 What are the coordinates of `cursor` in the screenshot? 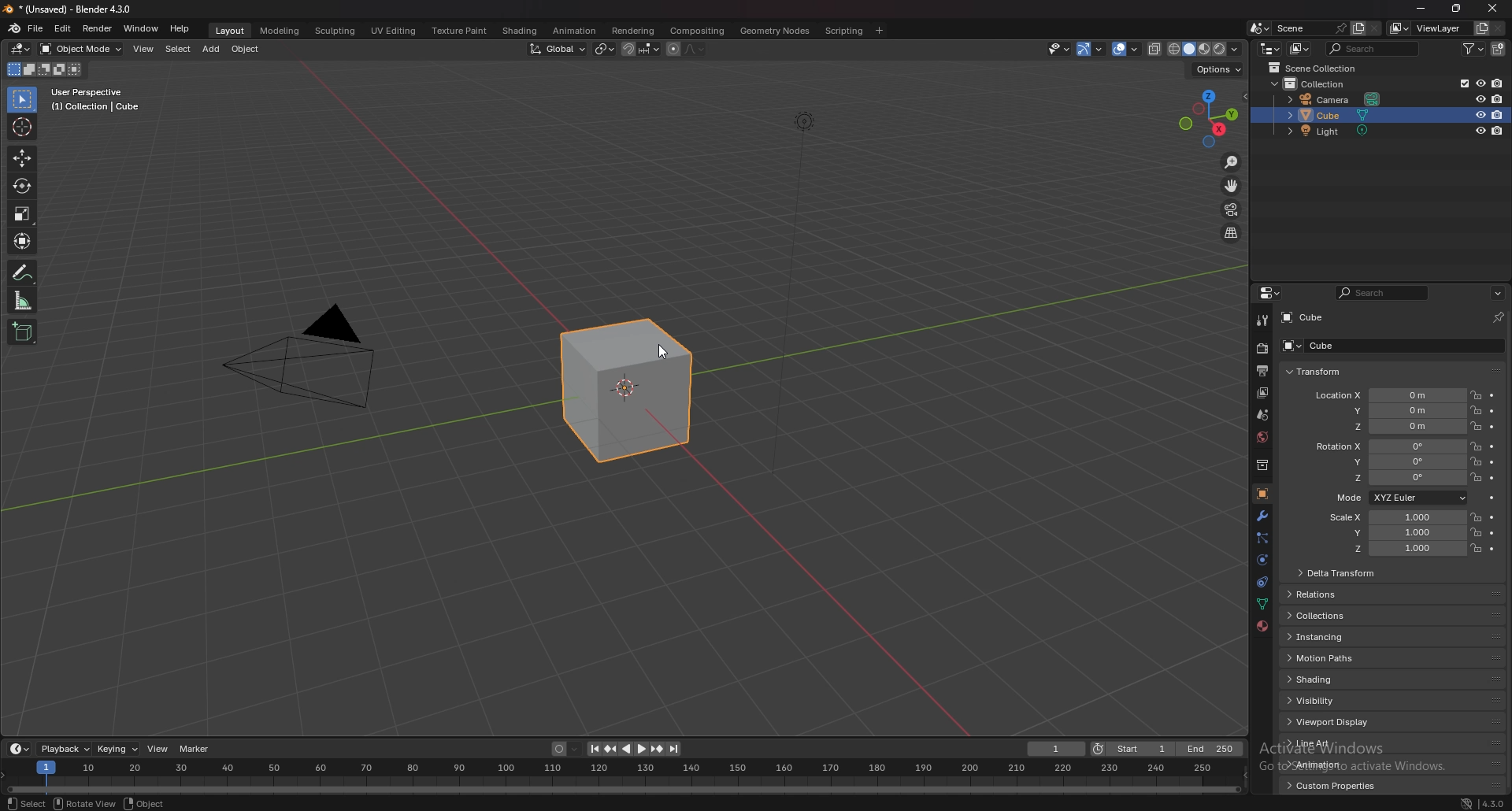 It's located at (22, 127).